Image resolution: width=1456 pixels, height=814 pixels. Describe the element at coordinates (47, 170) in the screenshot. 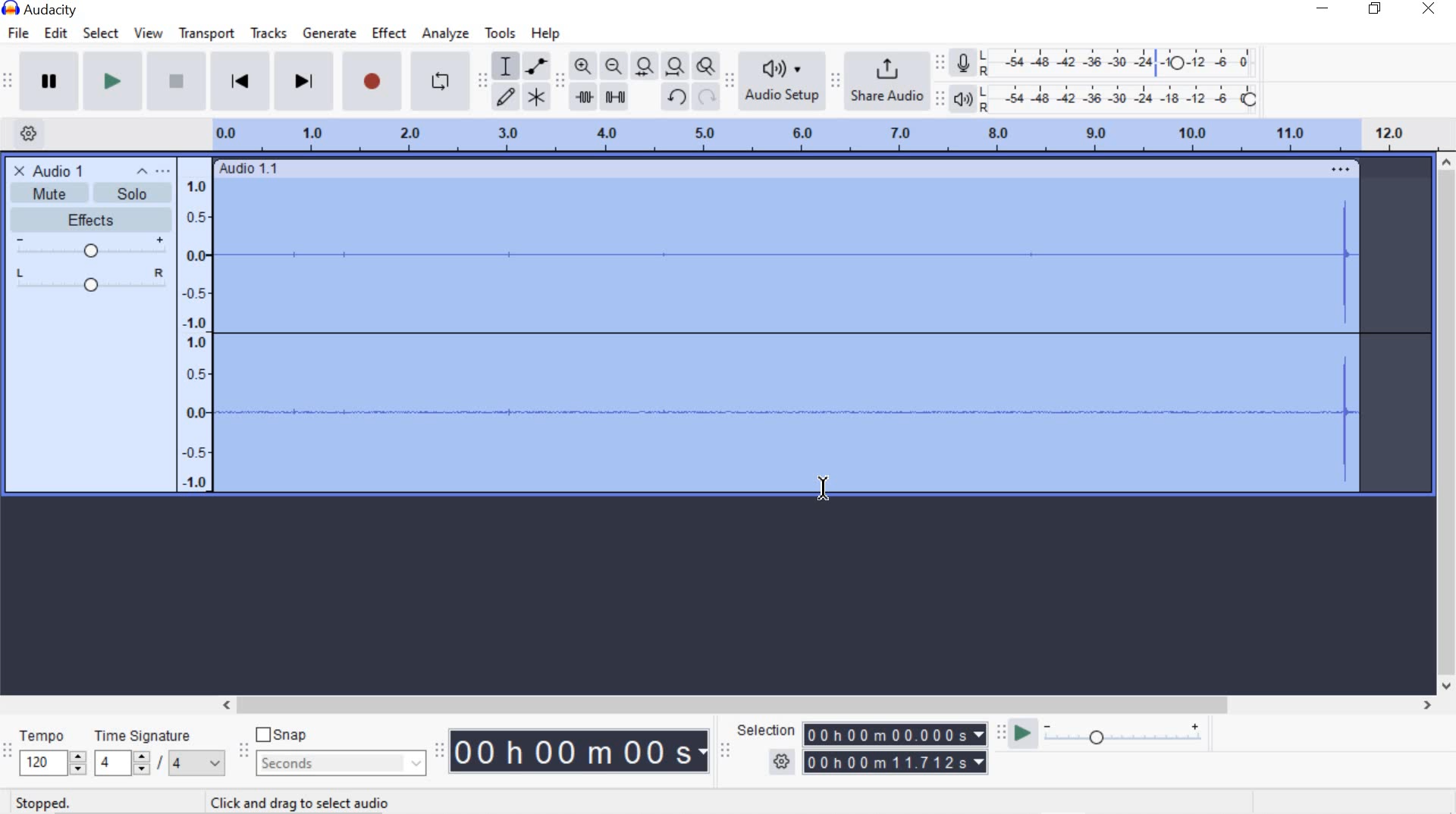

I see `Audio 1` at that location.